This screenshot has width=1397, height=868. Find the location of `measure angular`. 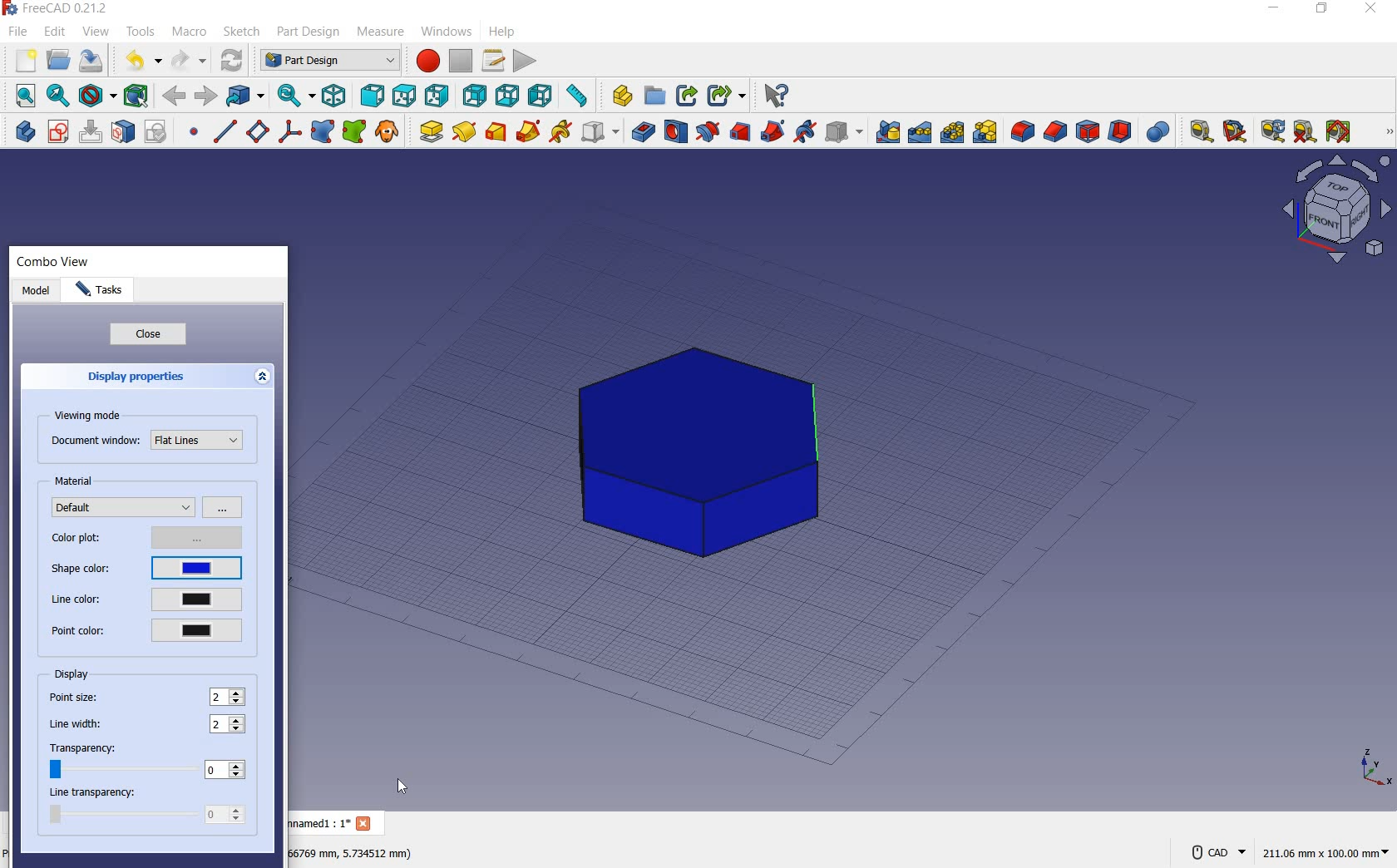

measure angular is located at coordinates (1236, 133).